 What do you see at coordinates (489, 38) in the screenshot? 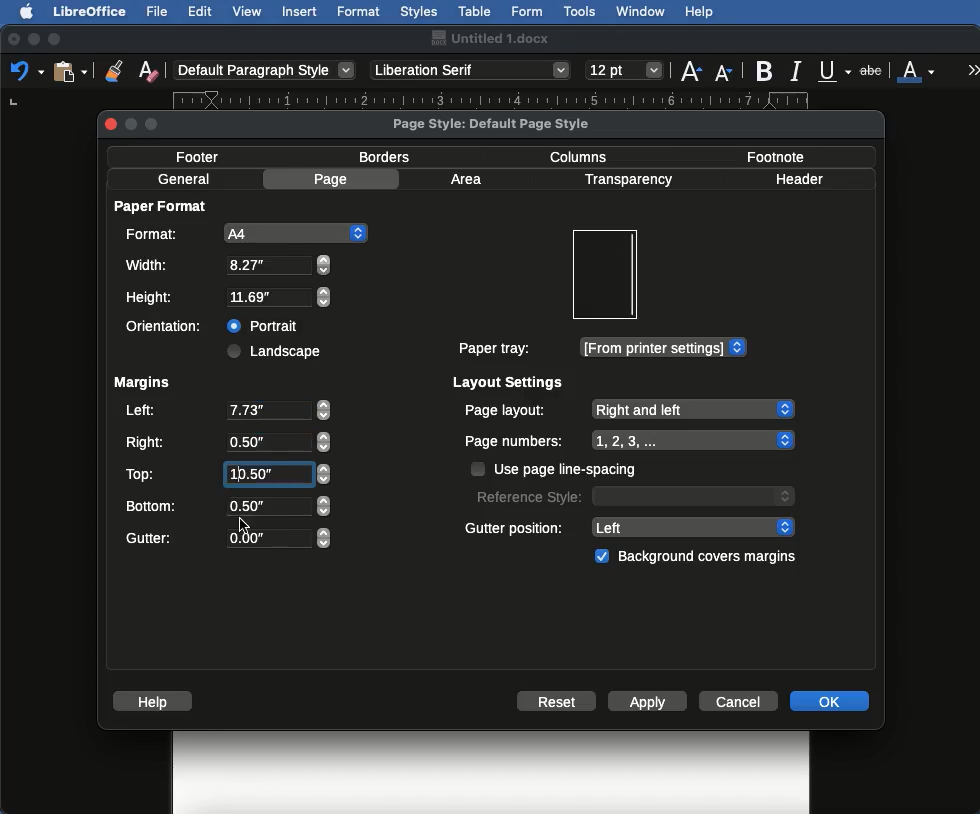
I see `Name` at bounding box center [489, 38].